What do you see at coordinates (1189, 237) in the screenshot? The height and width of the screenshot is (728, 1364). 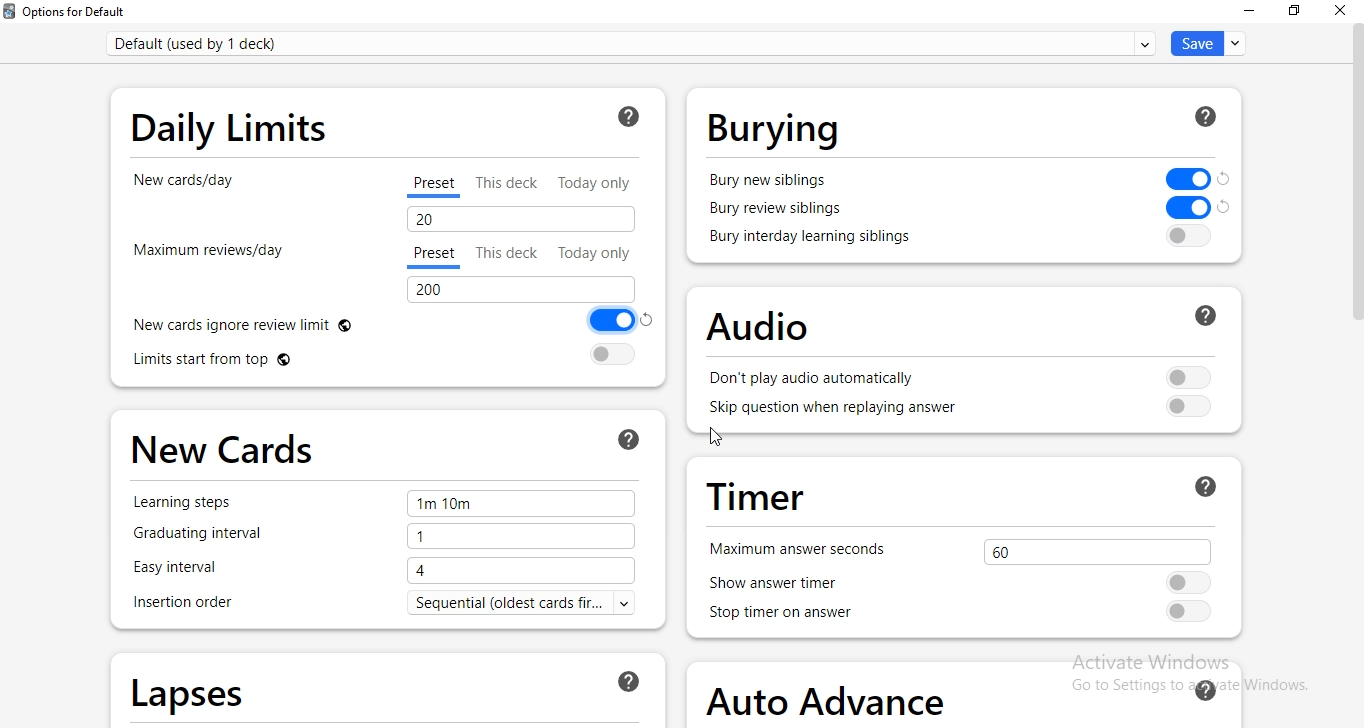 I see `toggle` at bounding box center [1189, 237].